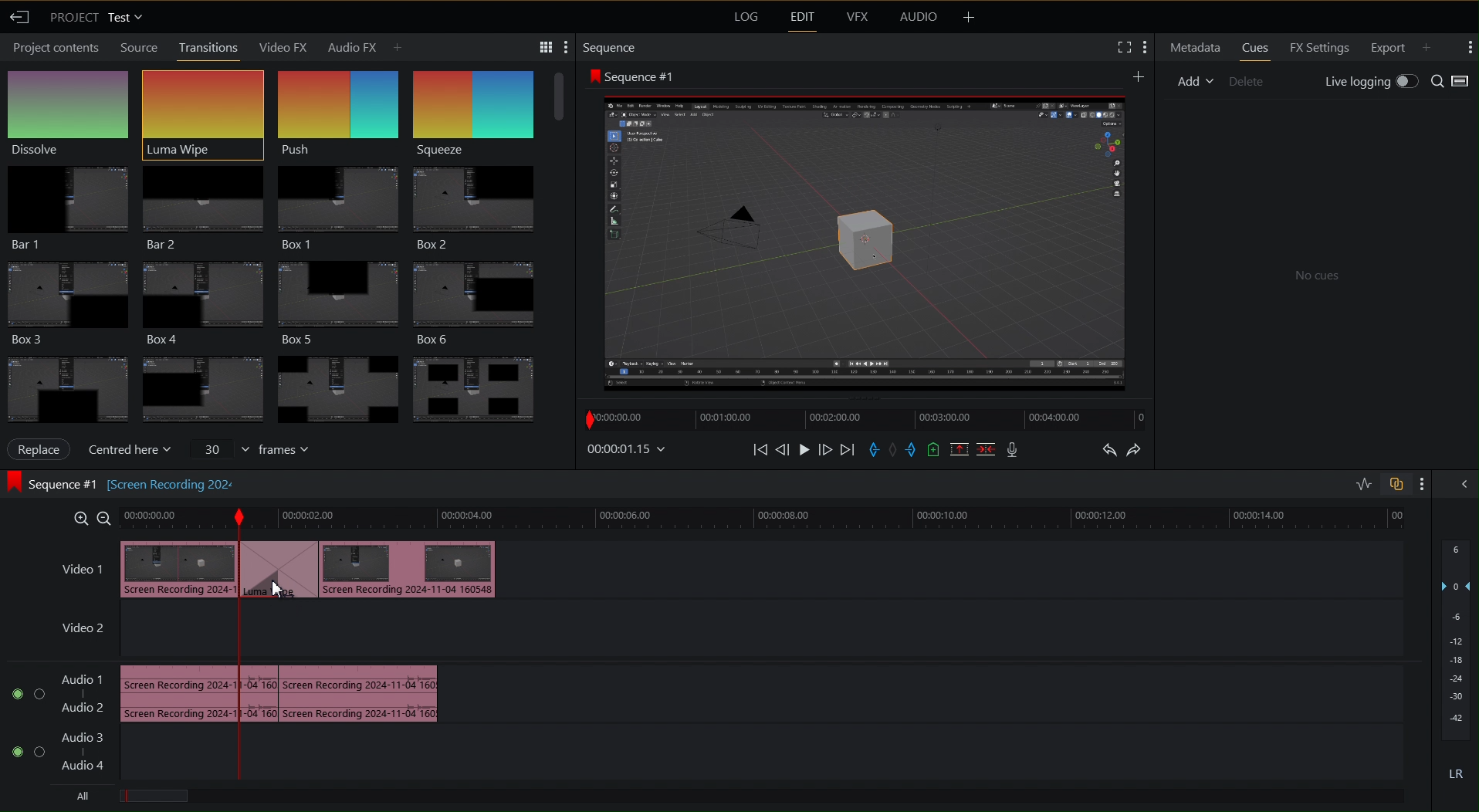  Describe the element at coordinates (744, 18) in the screenshot. I see `Log` at that location.